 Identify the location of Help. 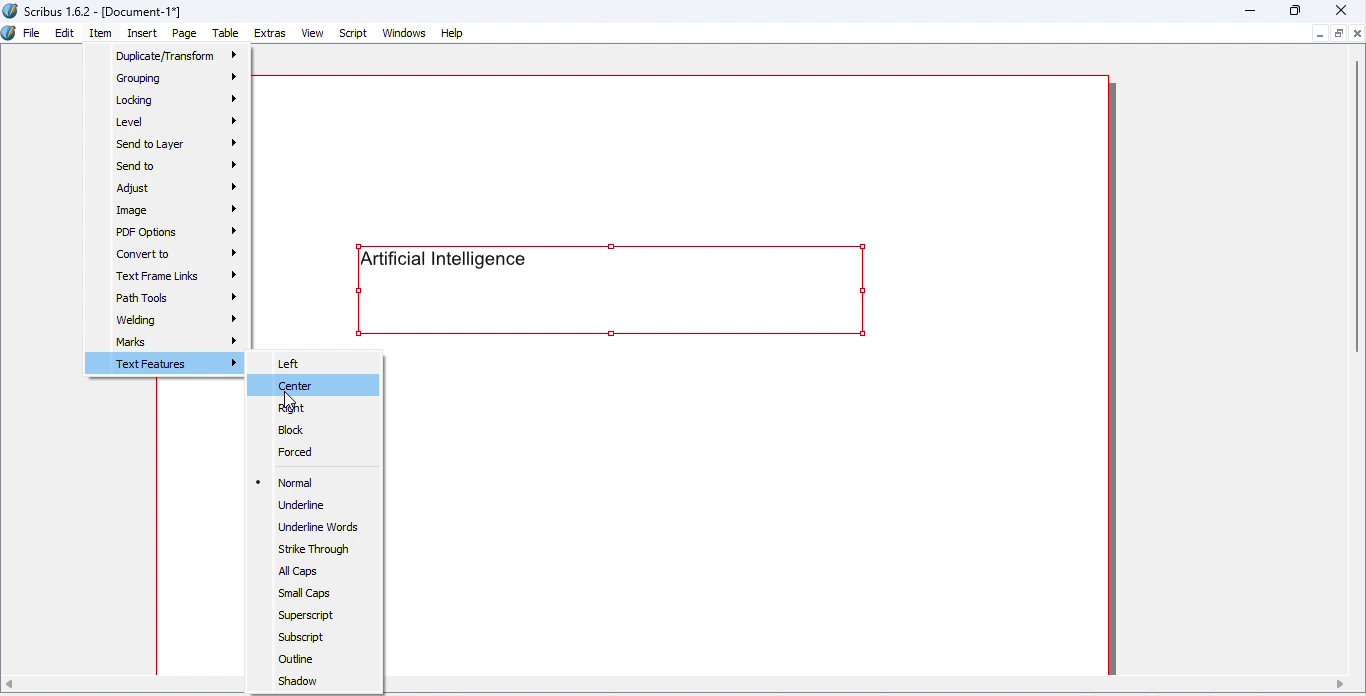
(452, 32).